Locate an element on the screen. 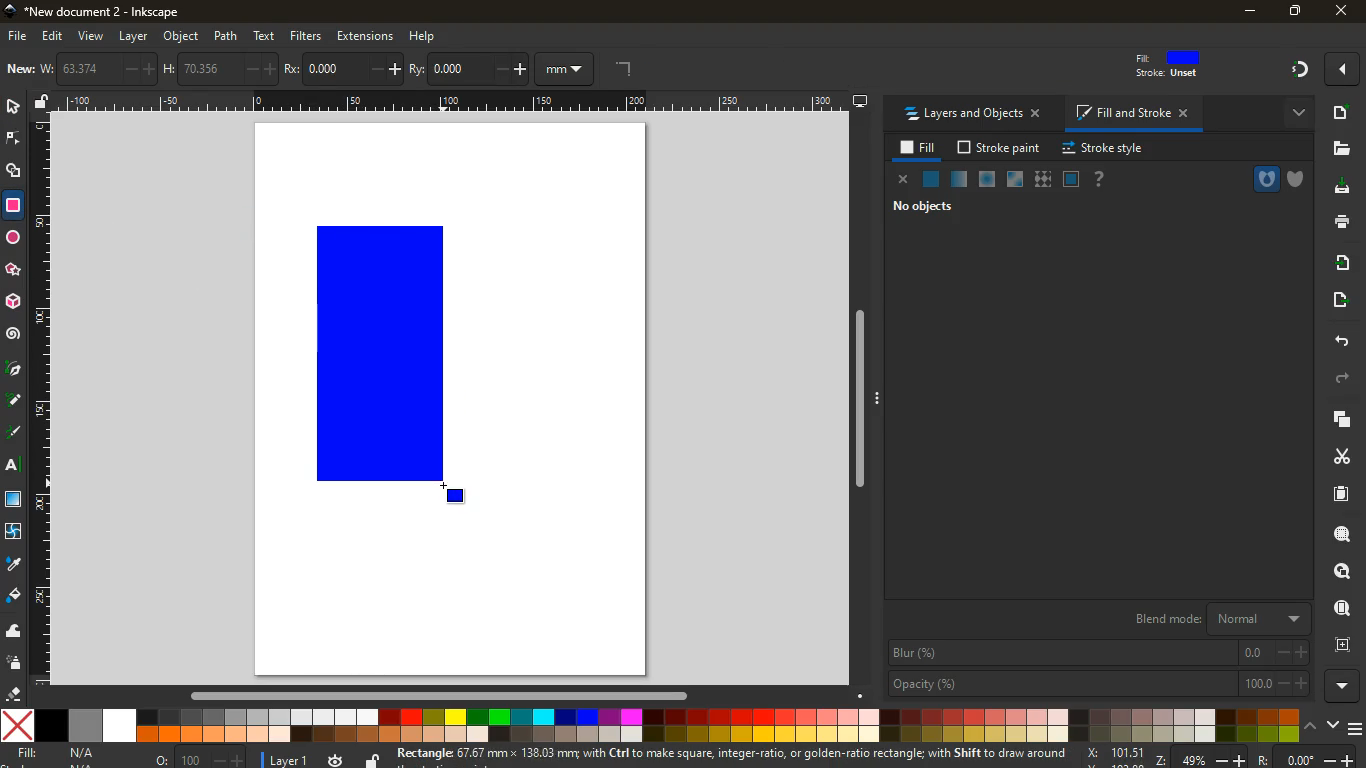 The height and width of the screenshot is (768, 1366). look is located at coordinates (1342, 570).